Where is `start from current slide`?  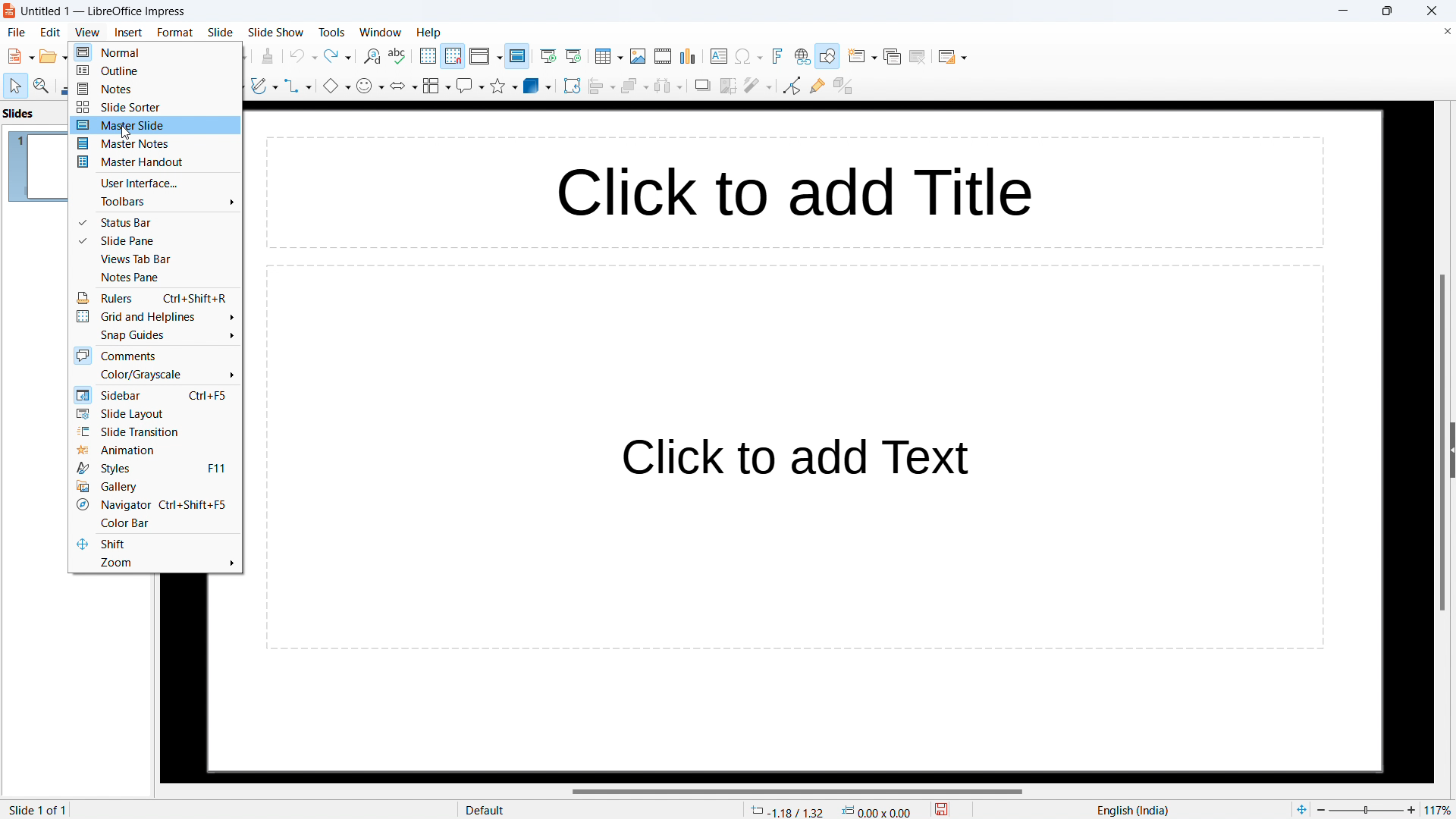 start from current slide is located at coordinates (574, 56).